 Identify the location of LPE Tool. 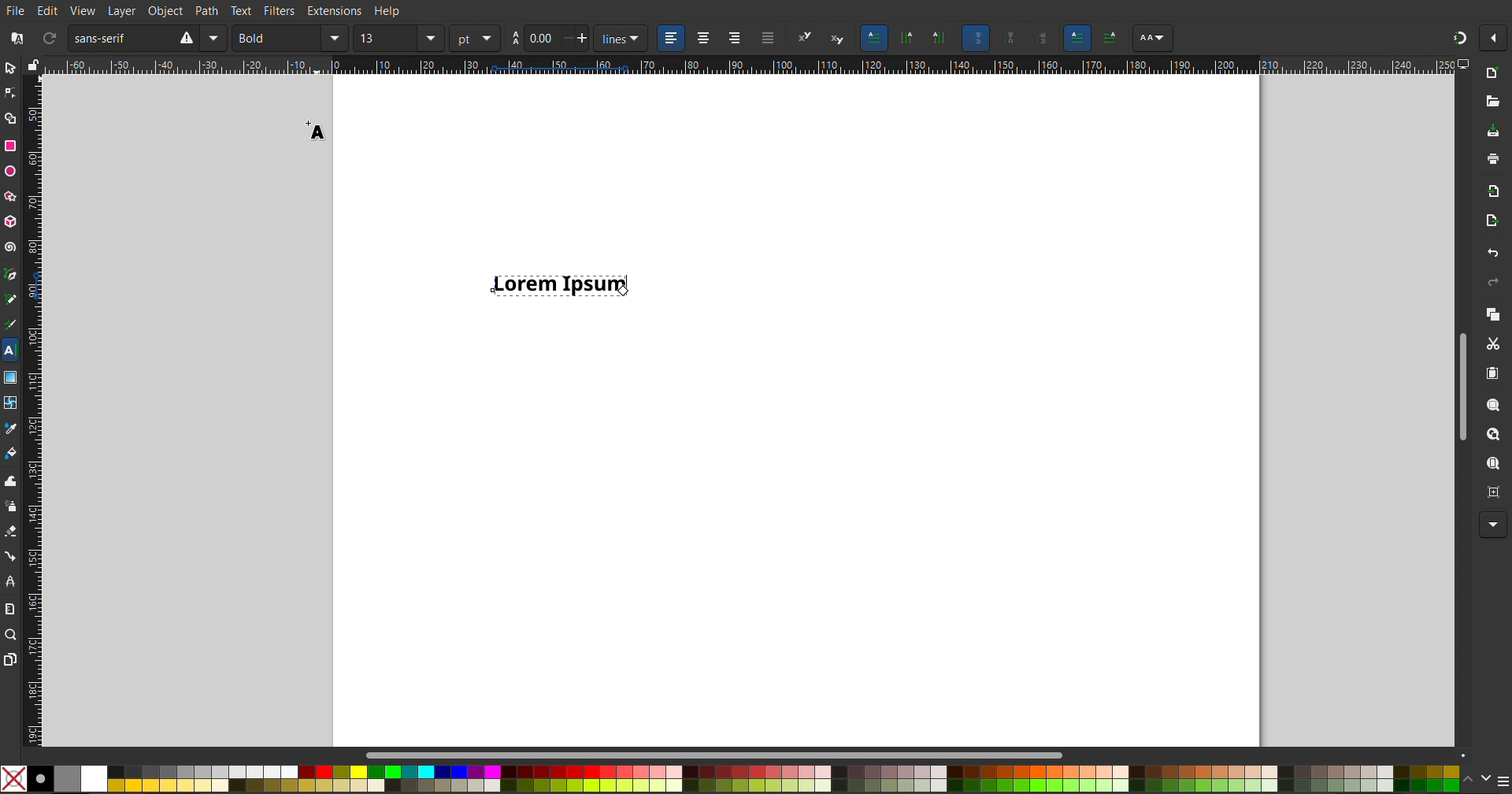
(11, 581).